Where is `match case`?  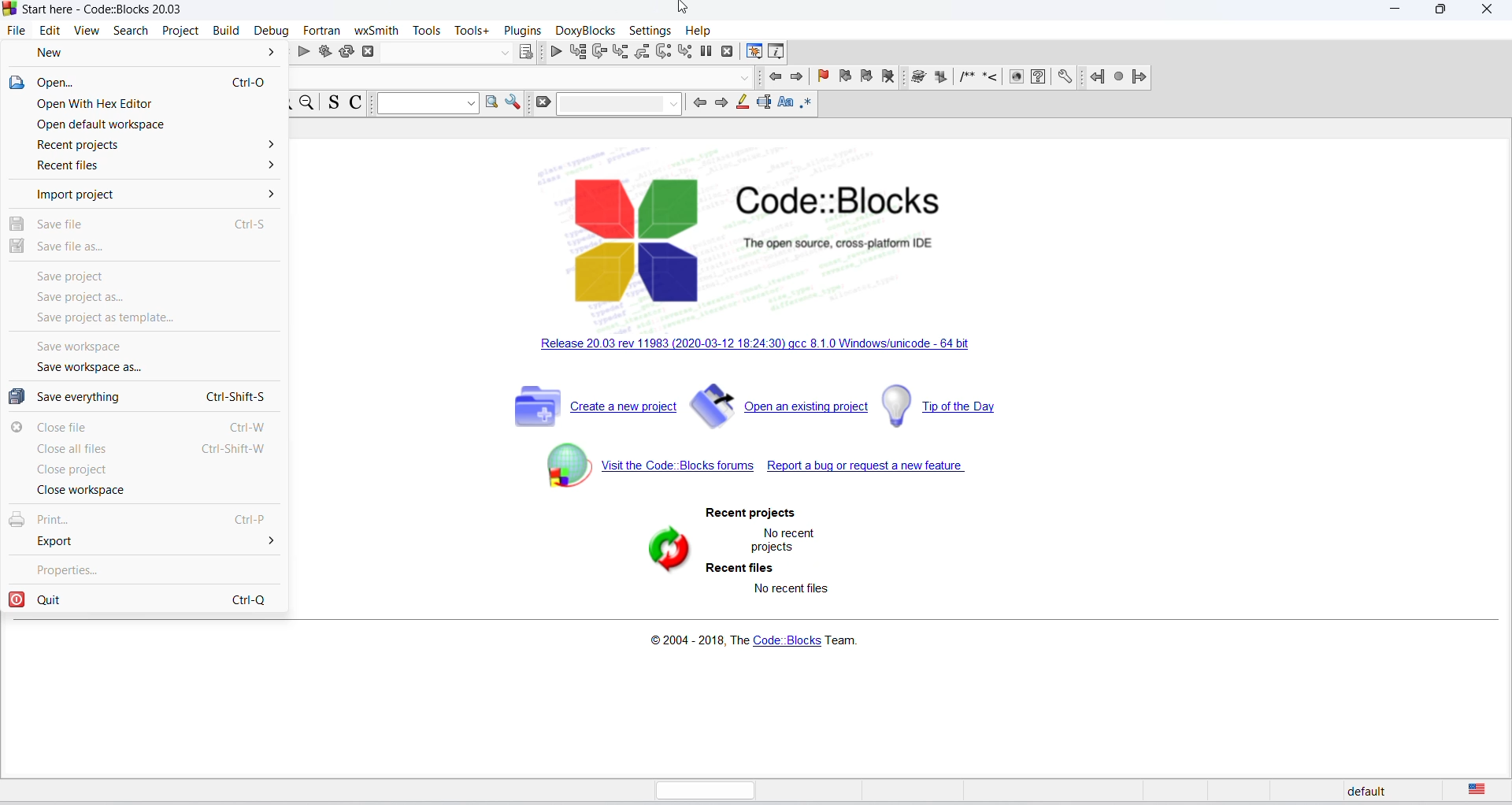 match case is located at coordinates (785, 105).